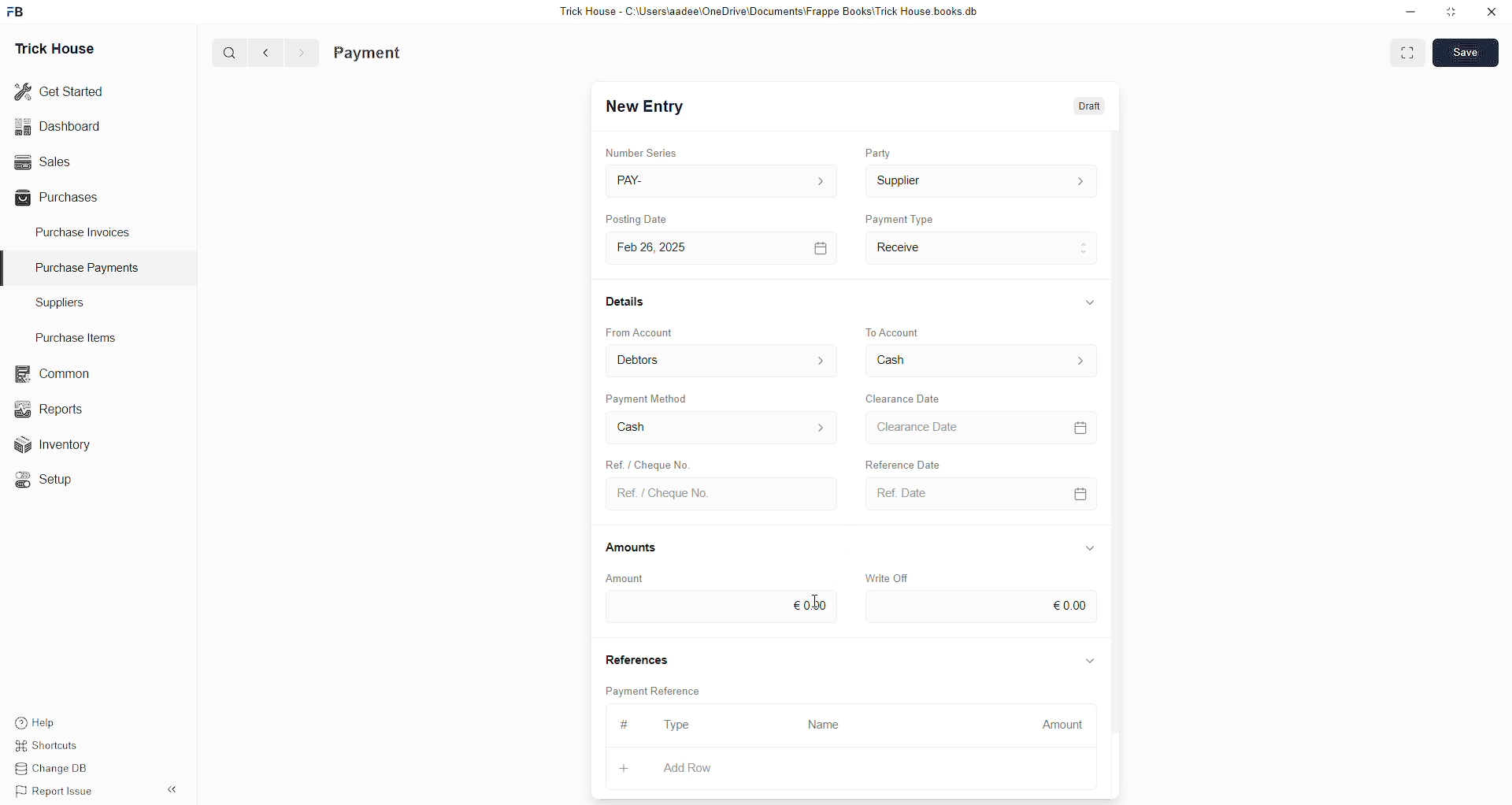  I want to click on From Account, so click(723, 360).